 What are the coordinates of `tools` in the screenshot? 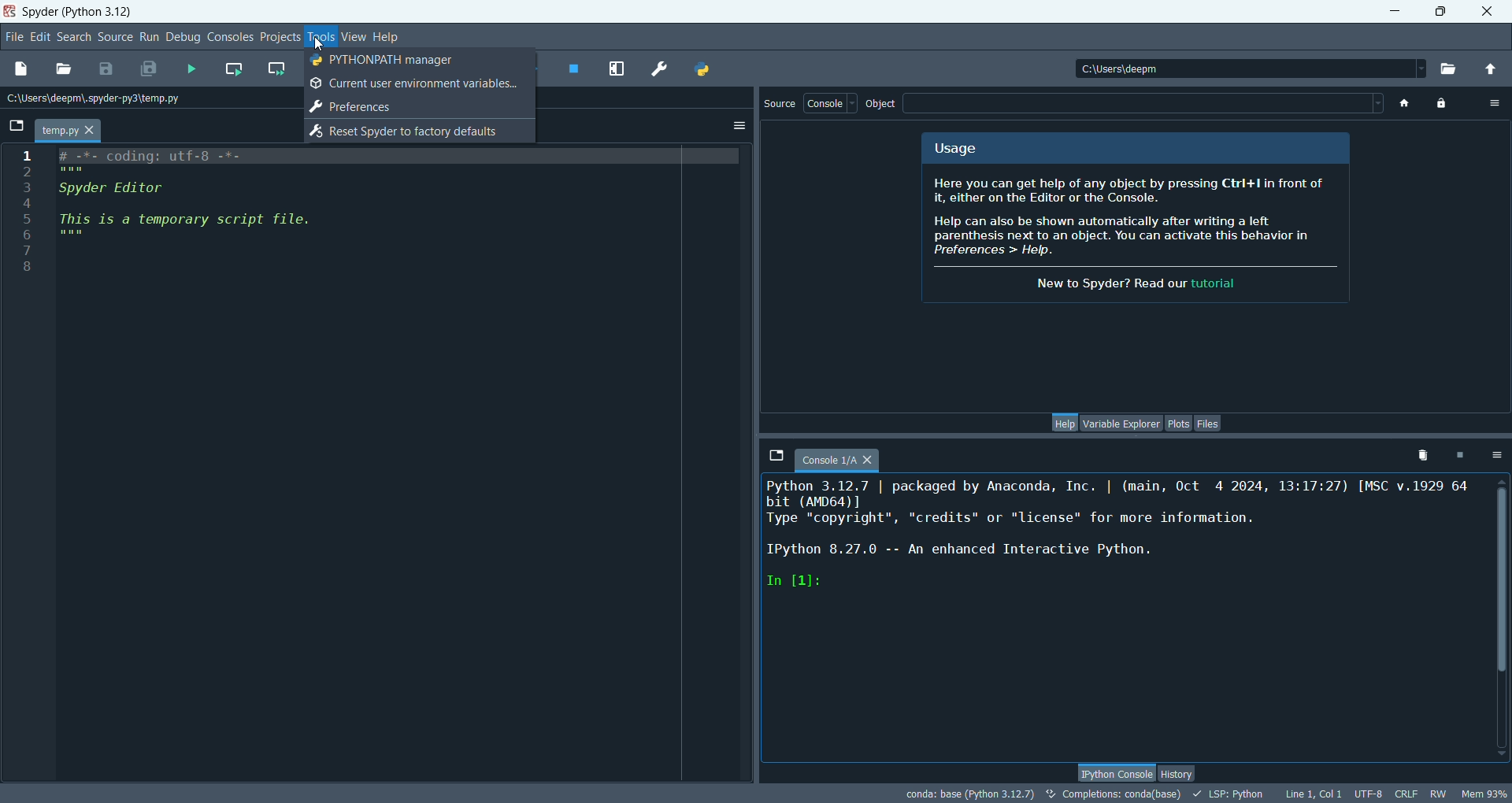 It's located at (318, 37).